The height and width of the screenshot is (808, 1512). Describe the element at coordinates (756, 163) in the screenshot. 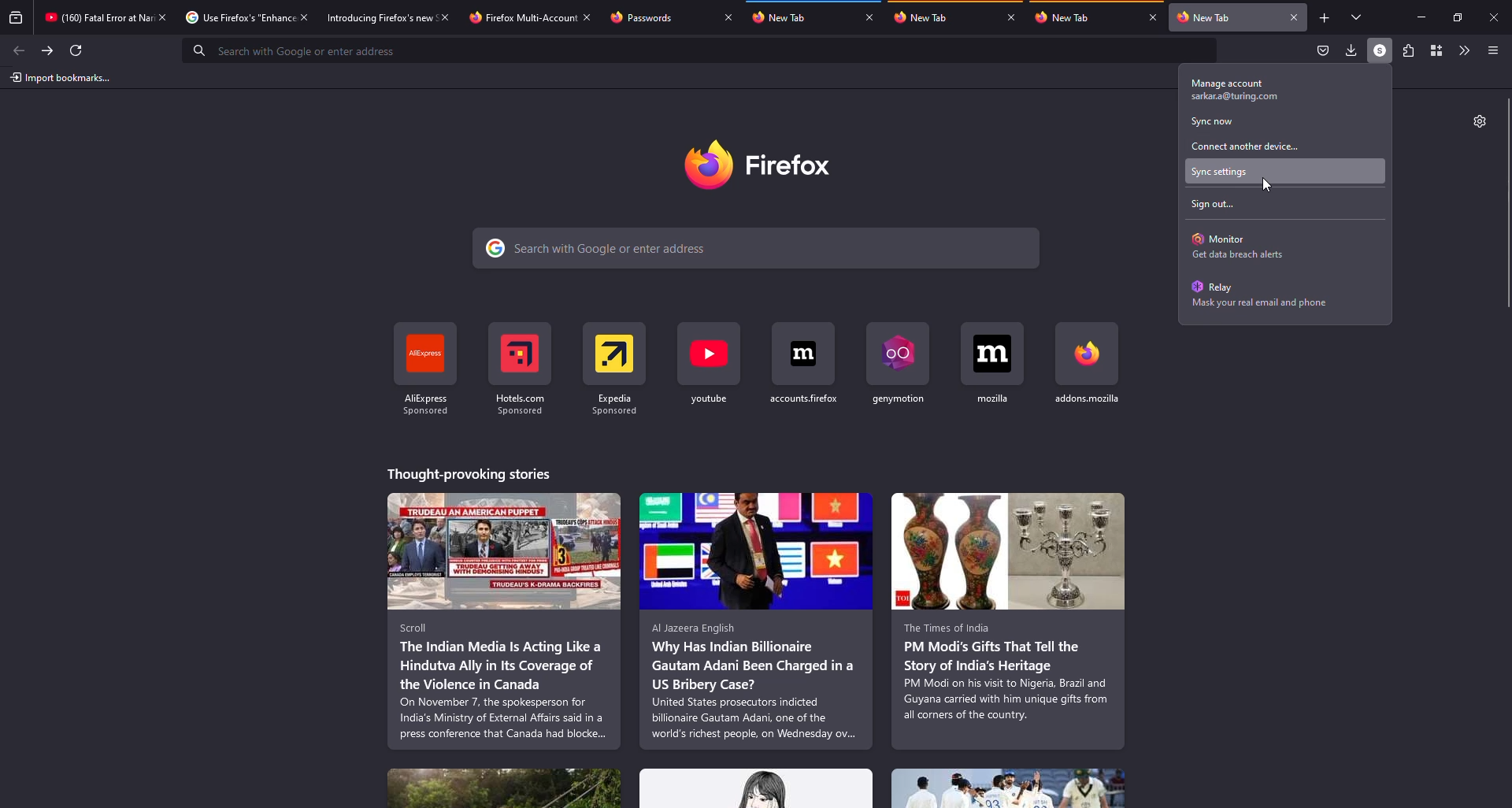

I see `firefox` at that location.